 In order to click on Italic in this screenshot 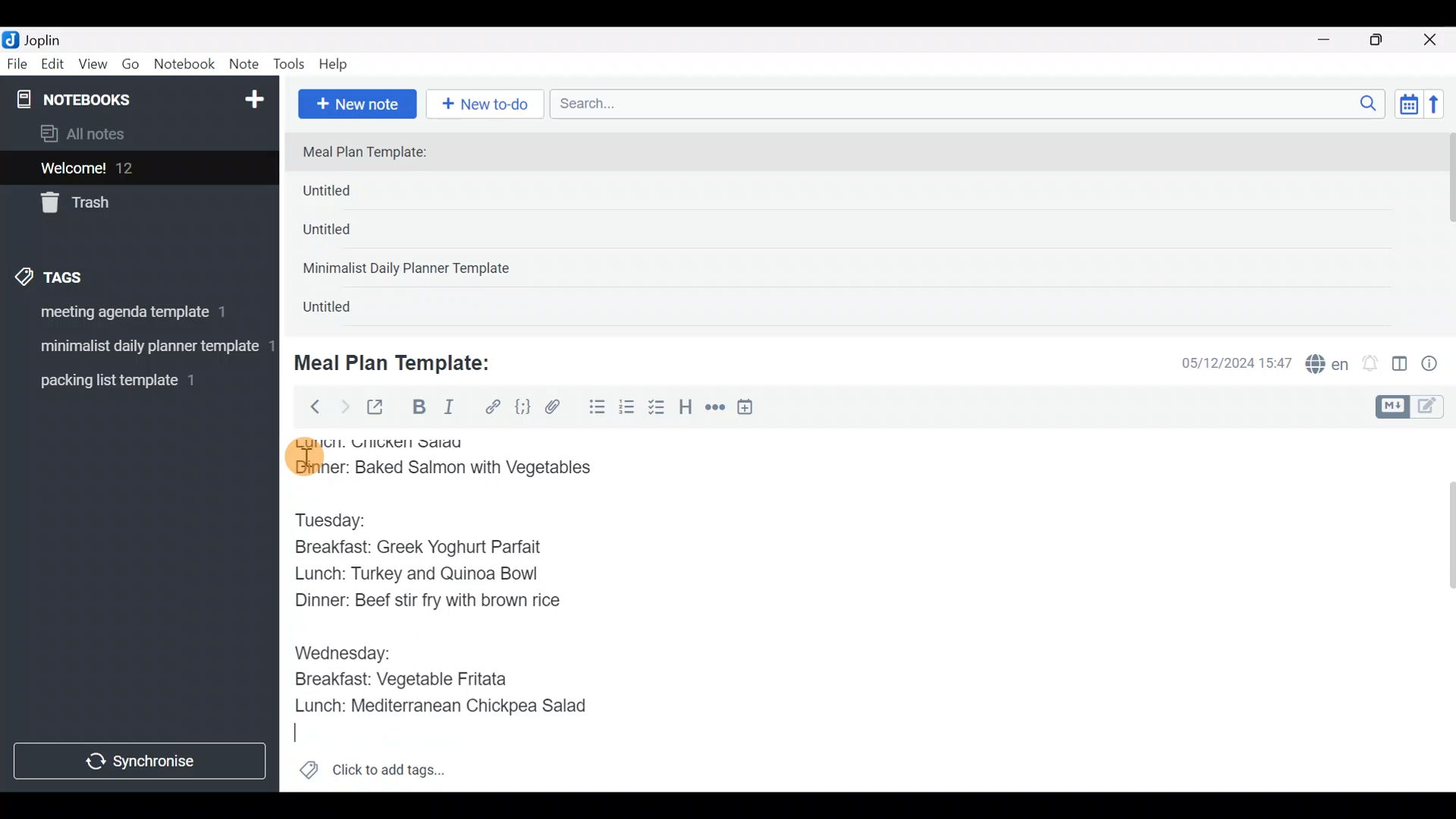, I will do `click(447, 410)`.